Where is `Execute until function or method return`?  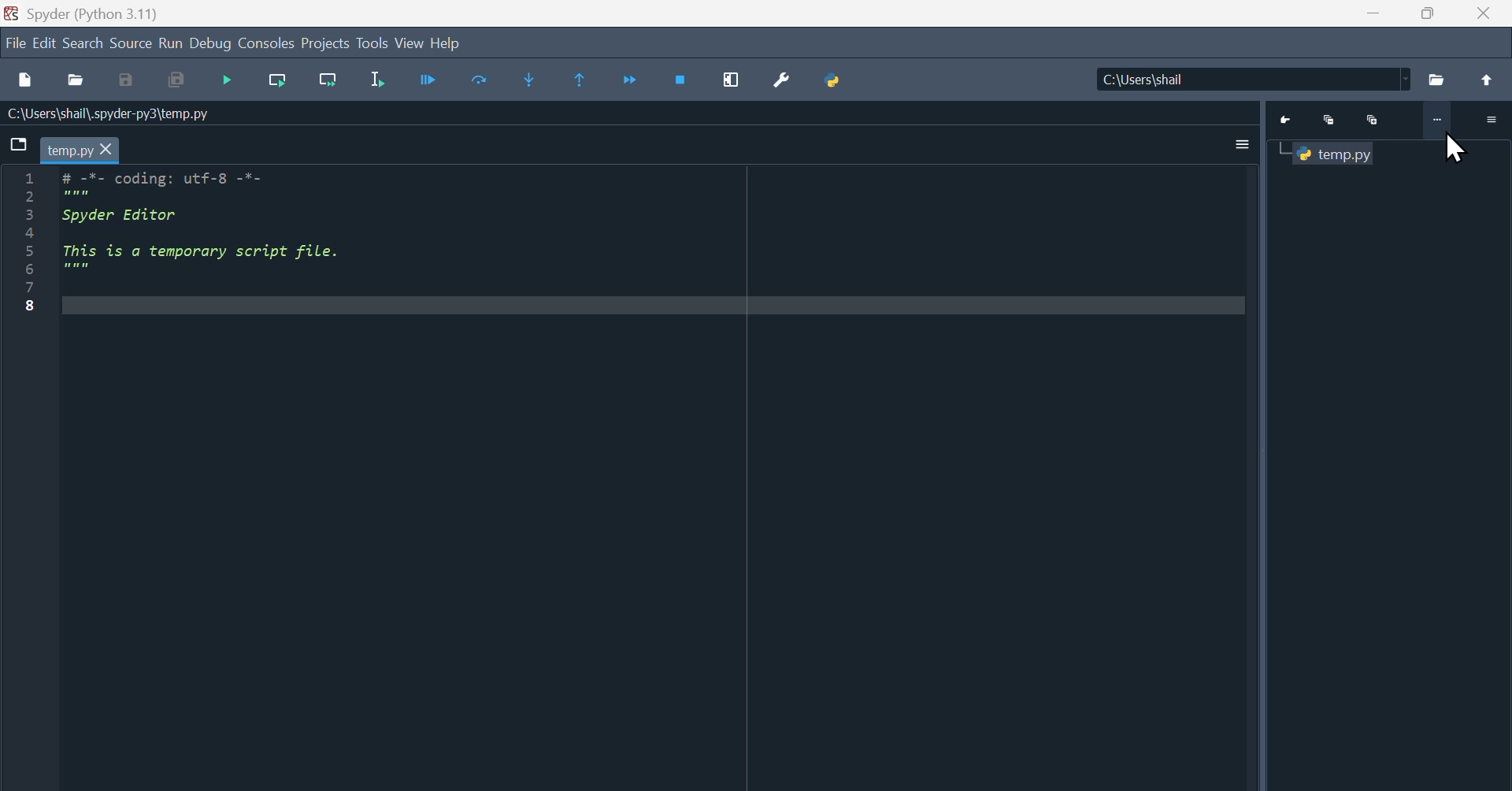
Execute until function or method return is located at coordinates (581, 81).